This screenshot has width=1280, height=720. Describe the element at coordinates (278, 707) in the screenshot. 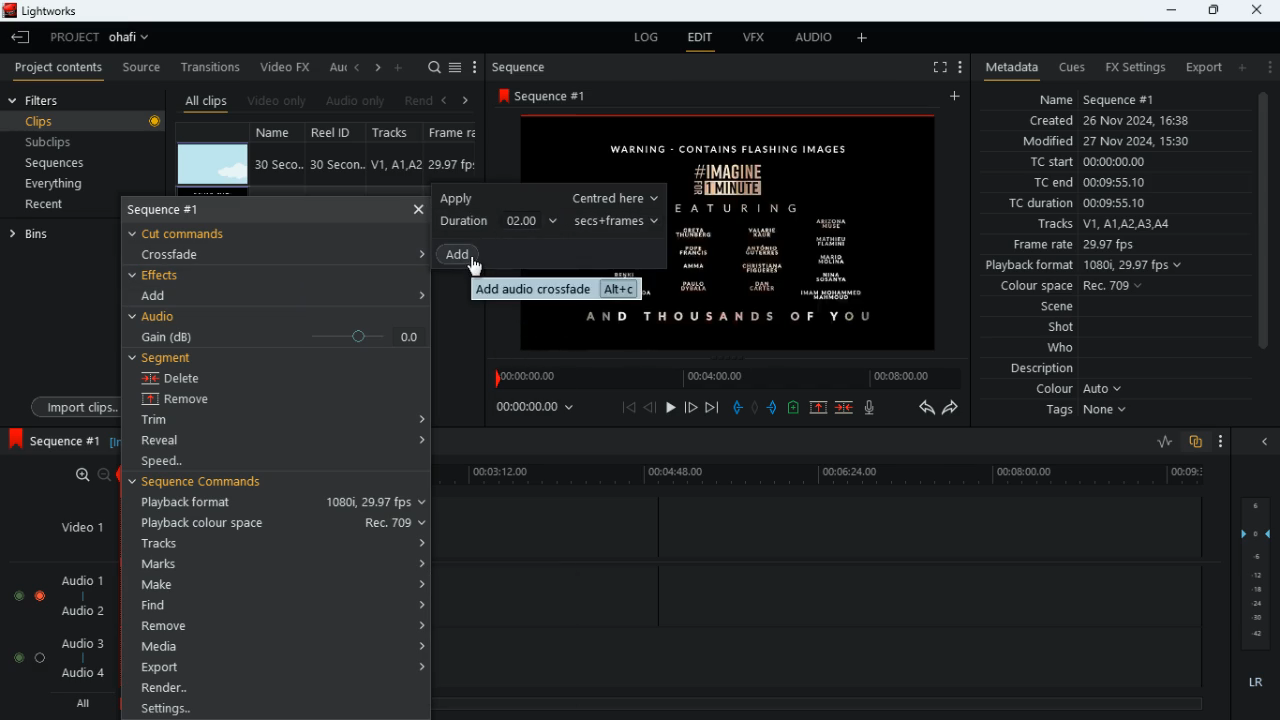

I see `Settings` at that location.